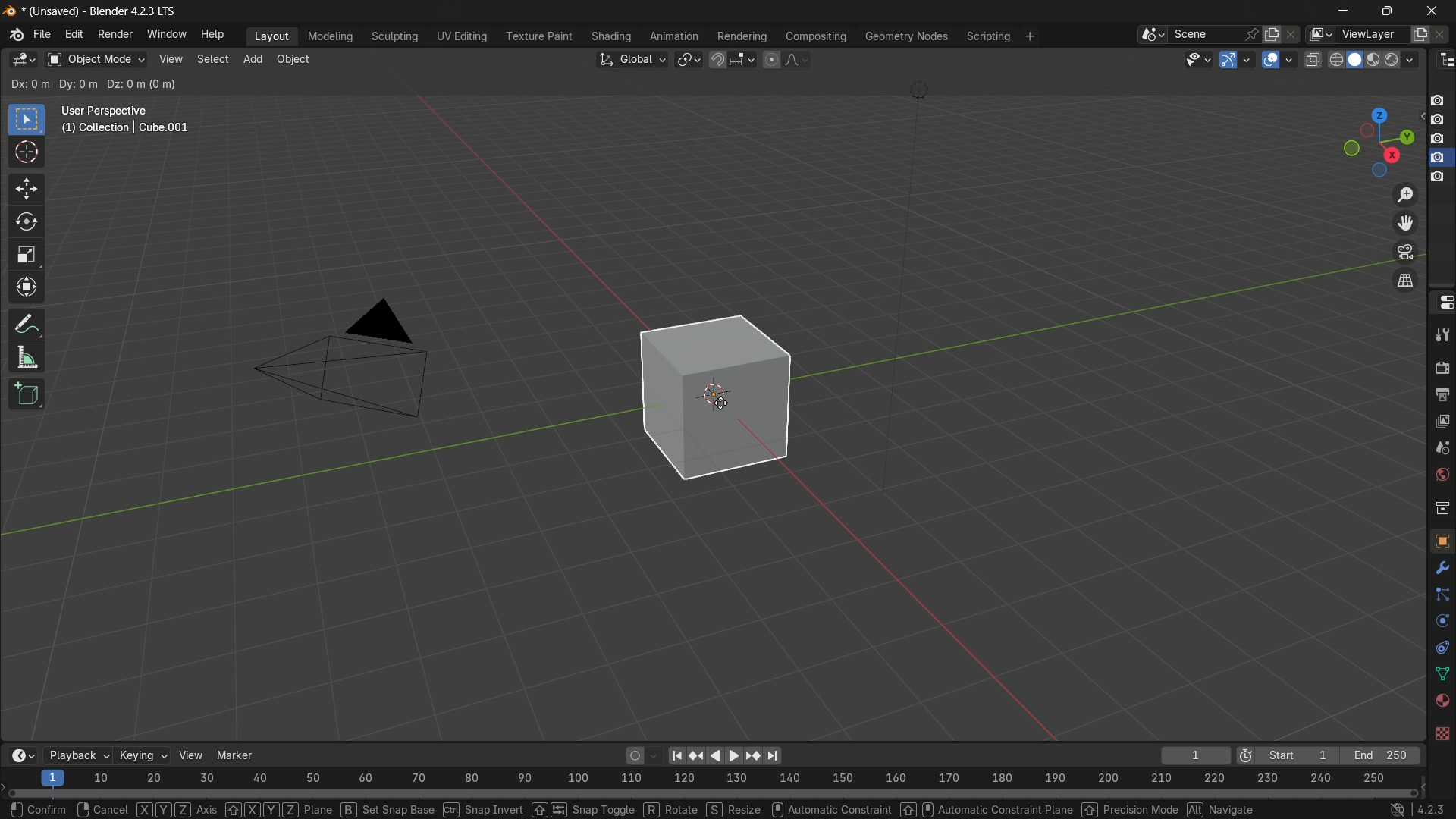 The height and width of the screenshot is (819, 1456). Describe the element at coordinates (12, 37) in the screenshot. I see `Logo` at that location.